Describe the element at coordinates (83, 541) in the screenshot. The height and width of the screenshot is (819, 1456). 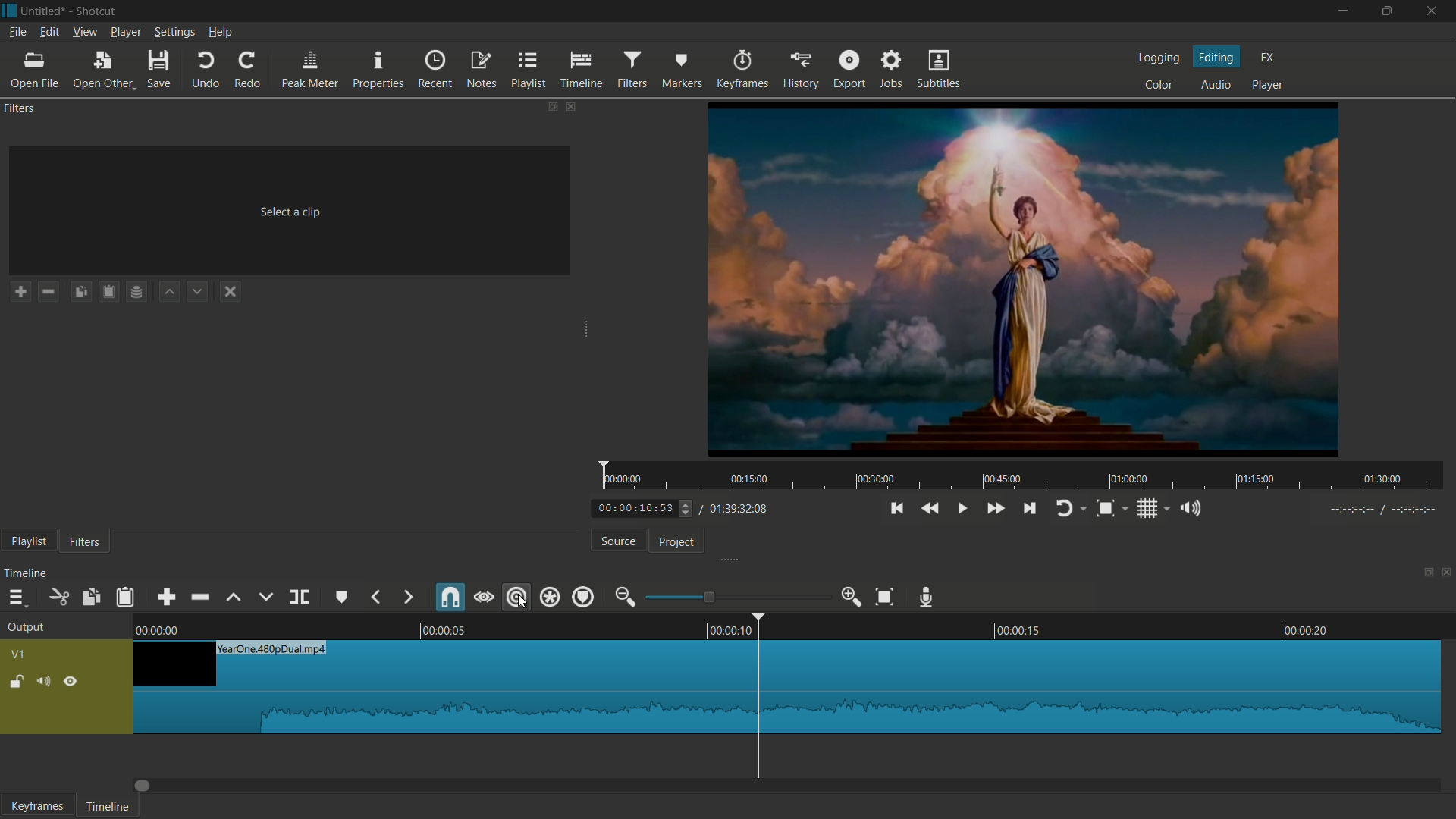
I see `filters` at that location.